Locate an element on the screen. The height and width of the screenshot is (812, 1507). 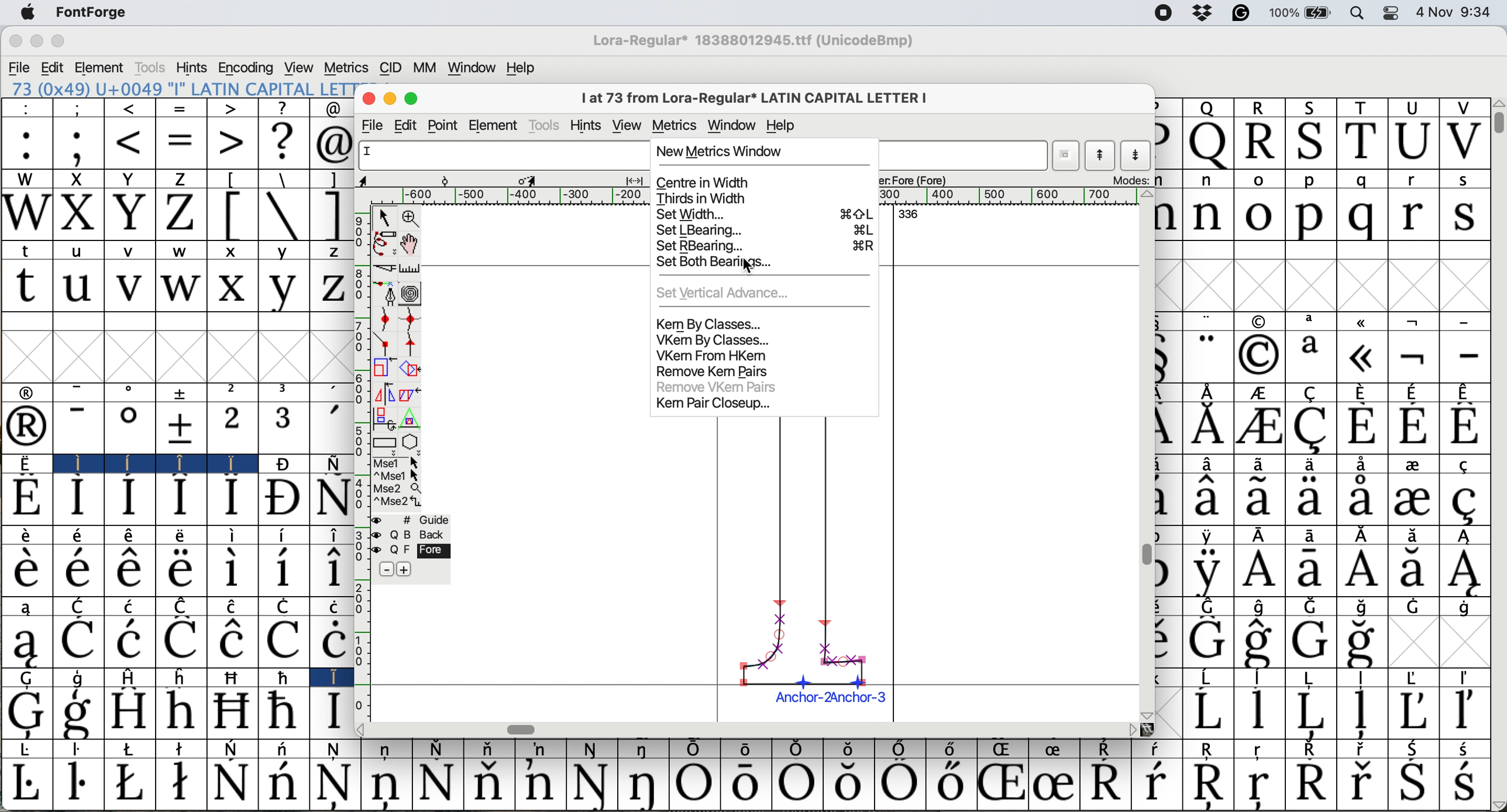
Symbol is located at coordinates (284, 535).